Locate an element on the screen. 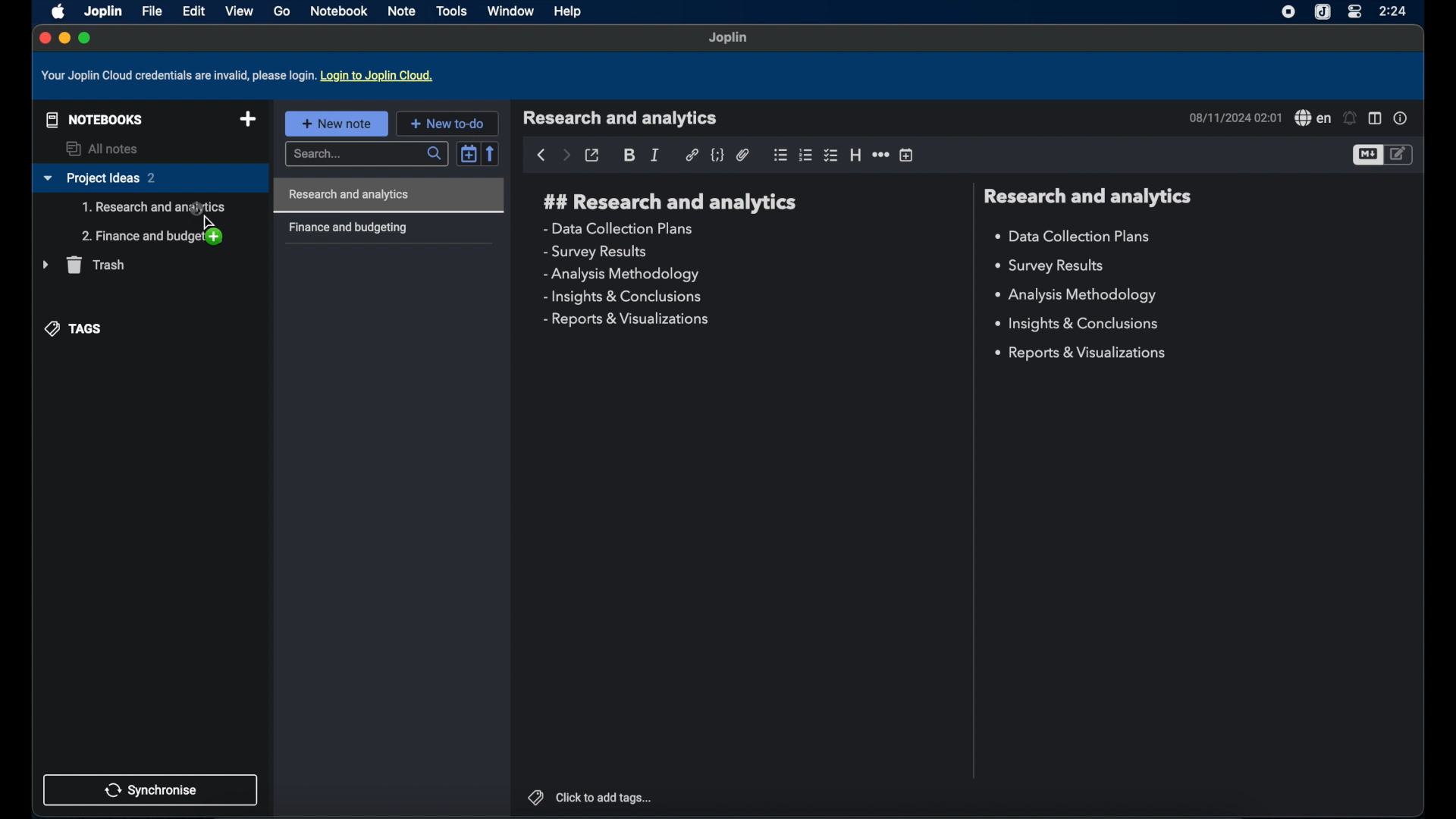 This screenshot has width=1456, height=819. research and analytics is located at coordinates (670, 202).